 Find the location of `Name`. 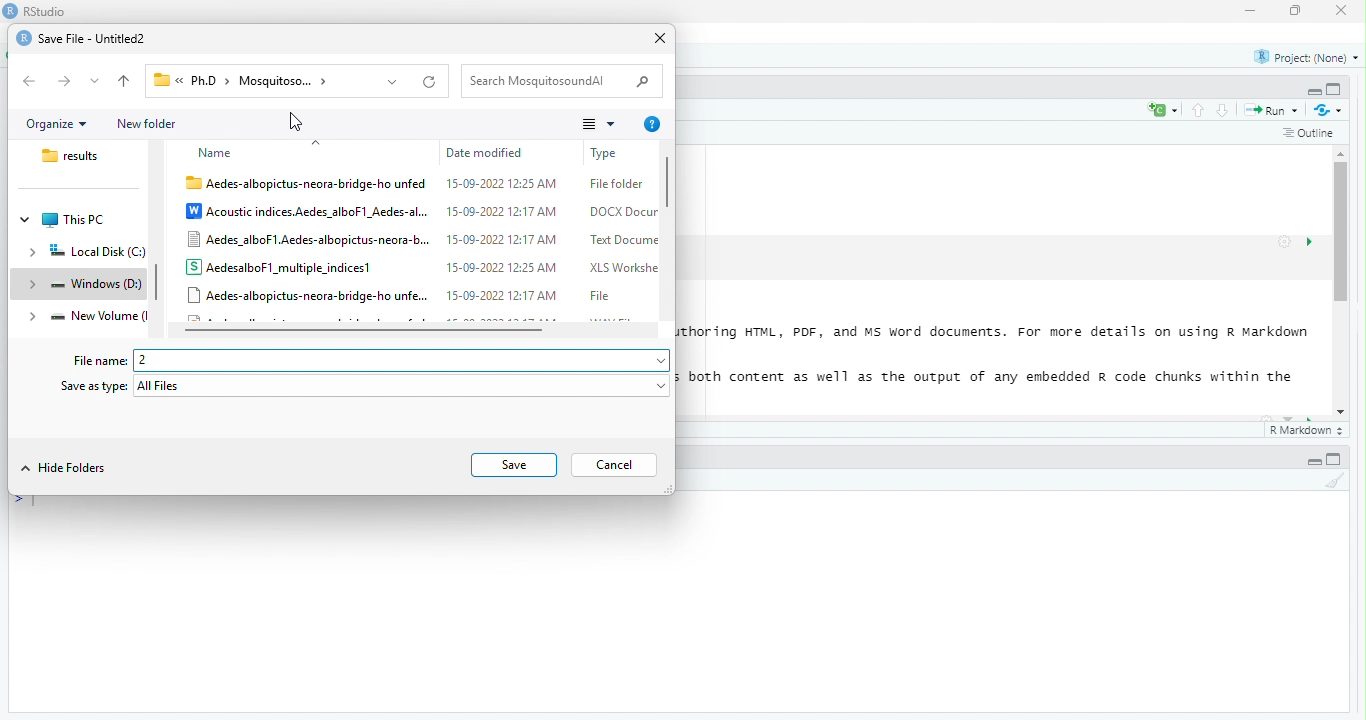

Name is located at coordinates (217, 154).